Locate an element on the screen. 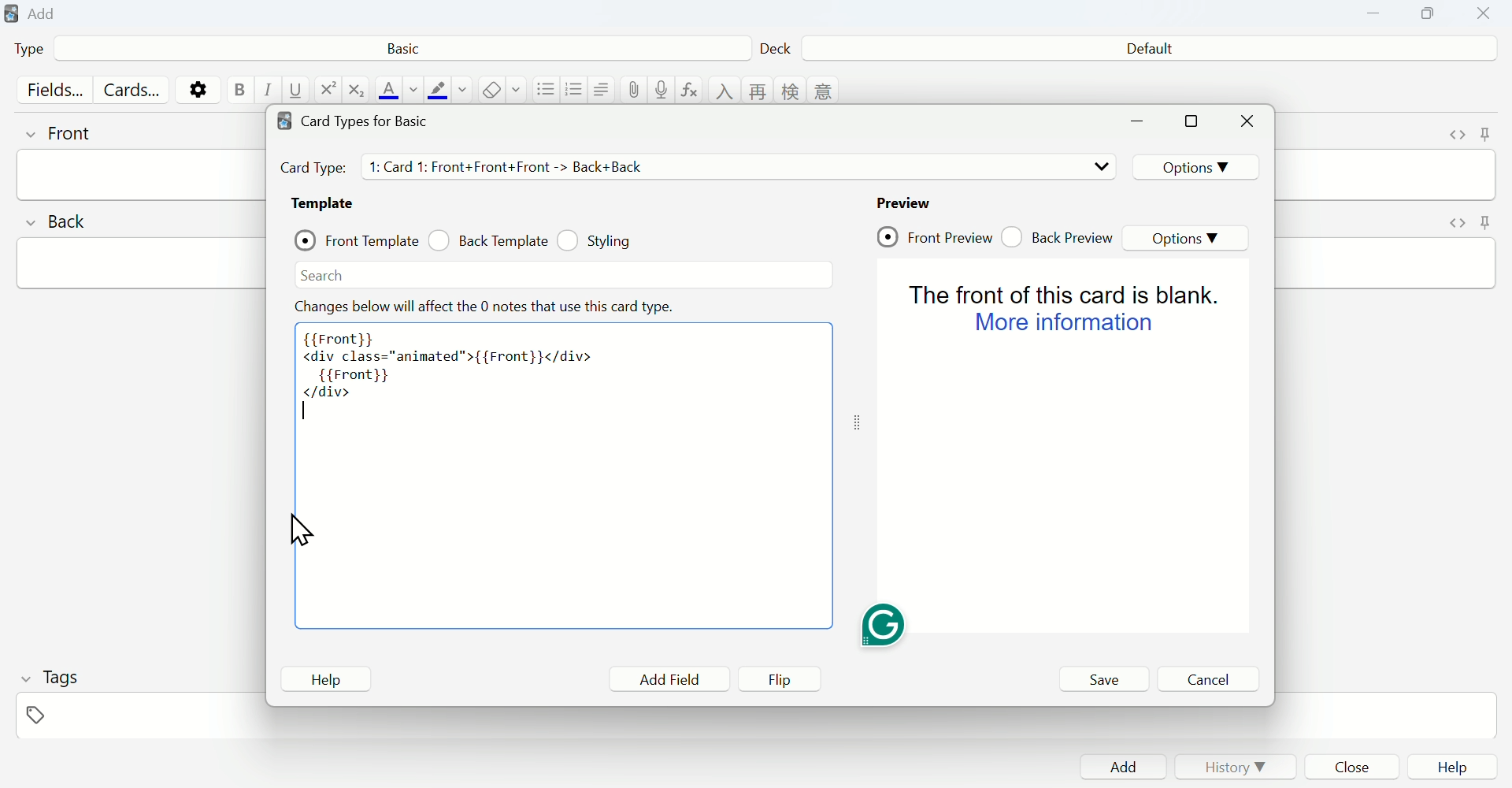  Code area is located at coordinates (563, 476).